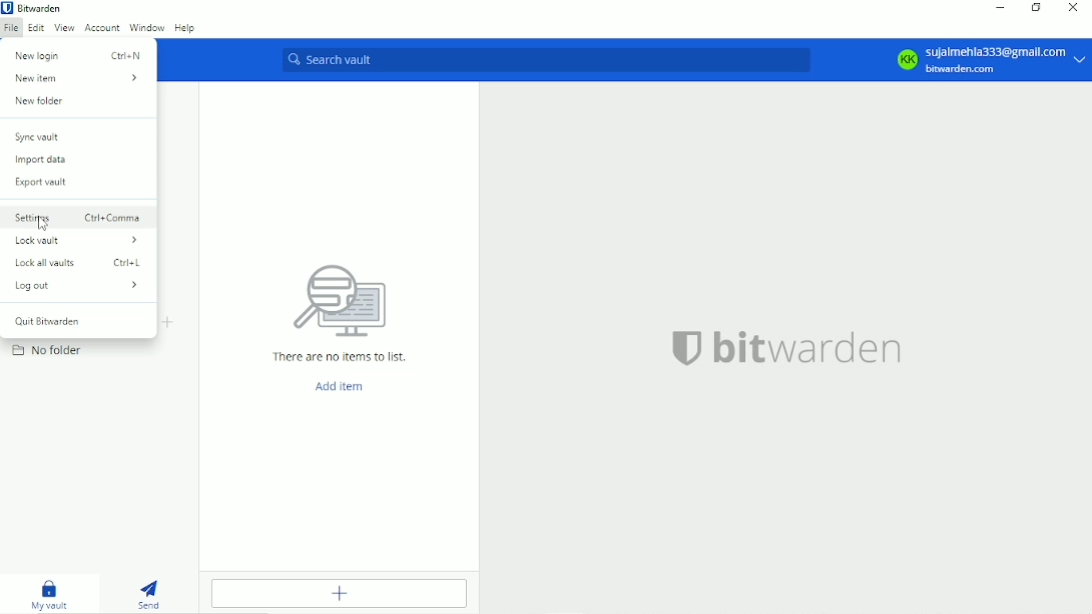 The height and width of the screenshot is (614, 1092). Describe the element at coordinates (42, 161) in the screenshot. I see `Import data` at that location.